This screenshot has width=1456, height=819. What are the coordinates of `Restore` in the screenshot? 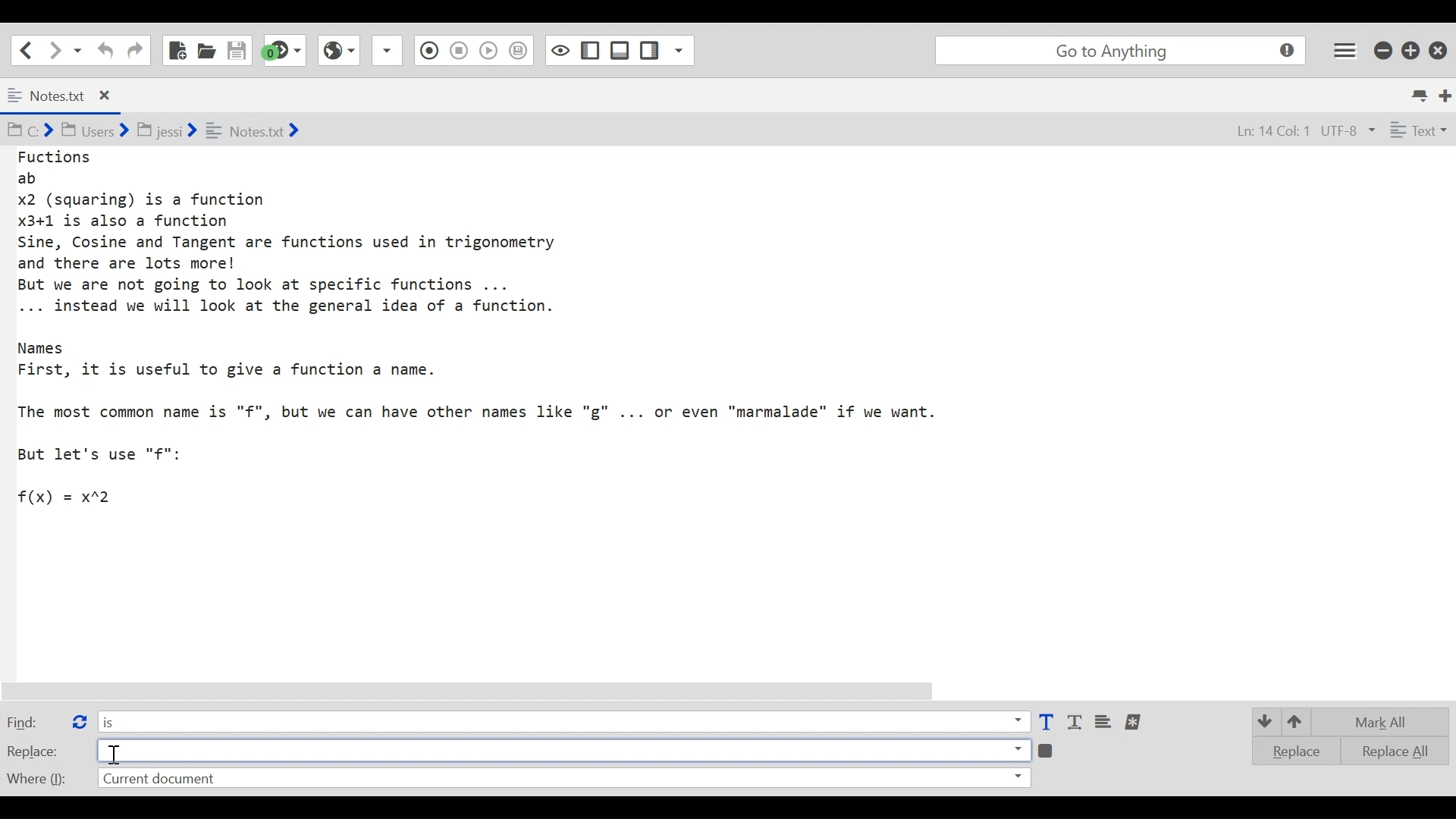 It's located at (1411, 49).